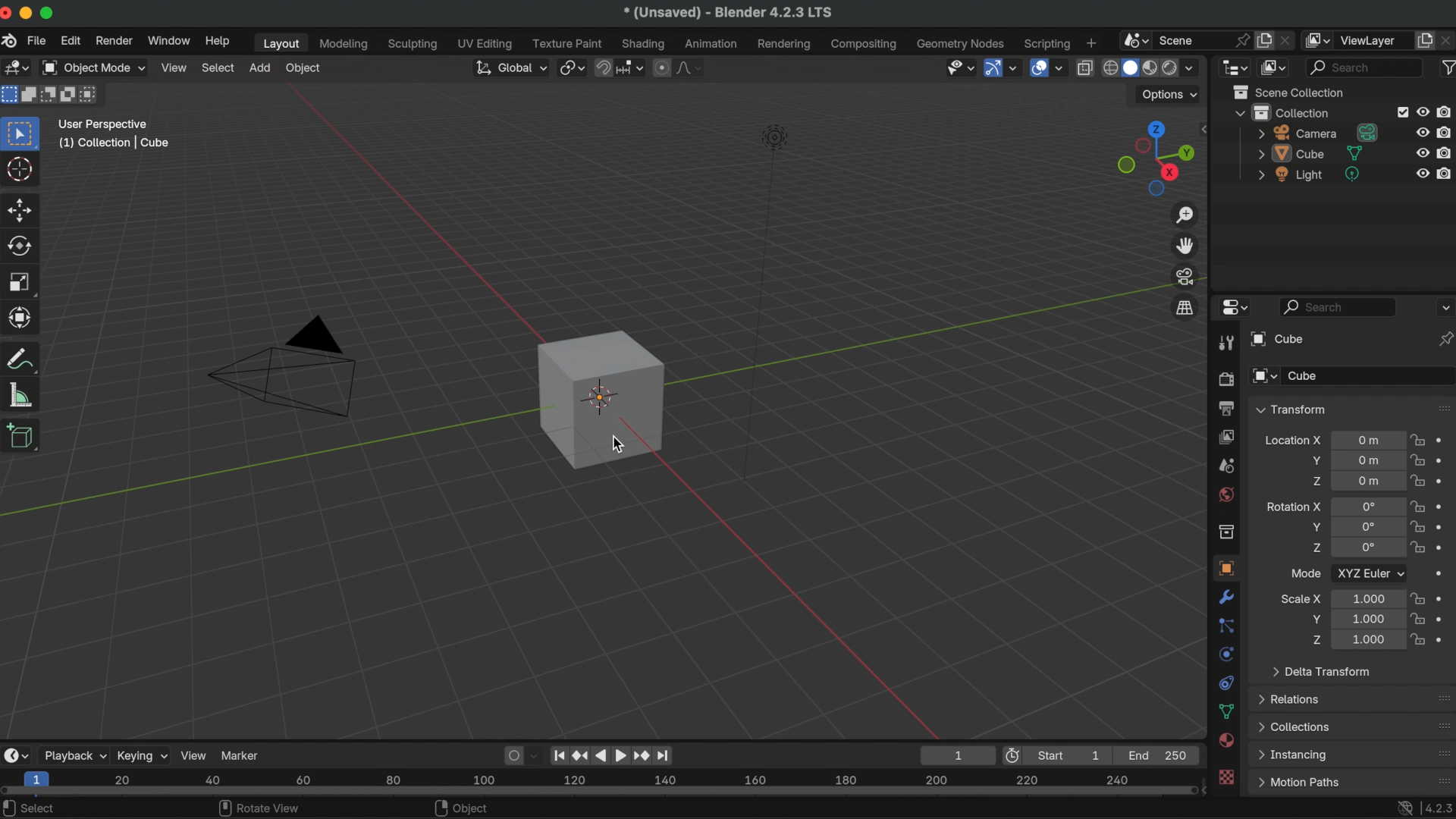 This screenshot has width=1456, height=819. What do you see at coordinates (1306, 573) in the screenshot?
I see `Mode` at bounding box center [1306, 573].